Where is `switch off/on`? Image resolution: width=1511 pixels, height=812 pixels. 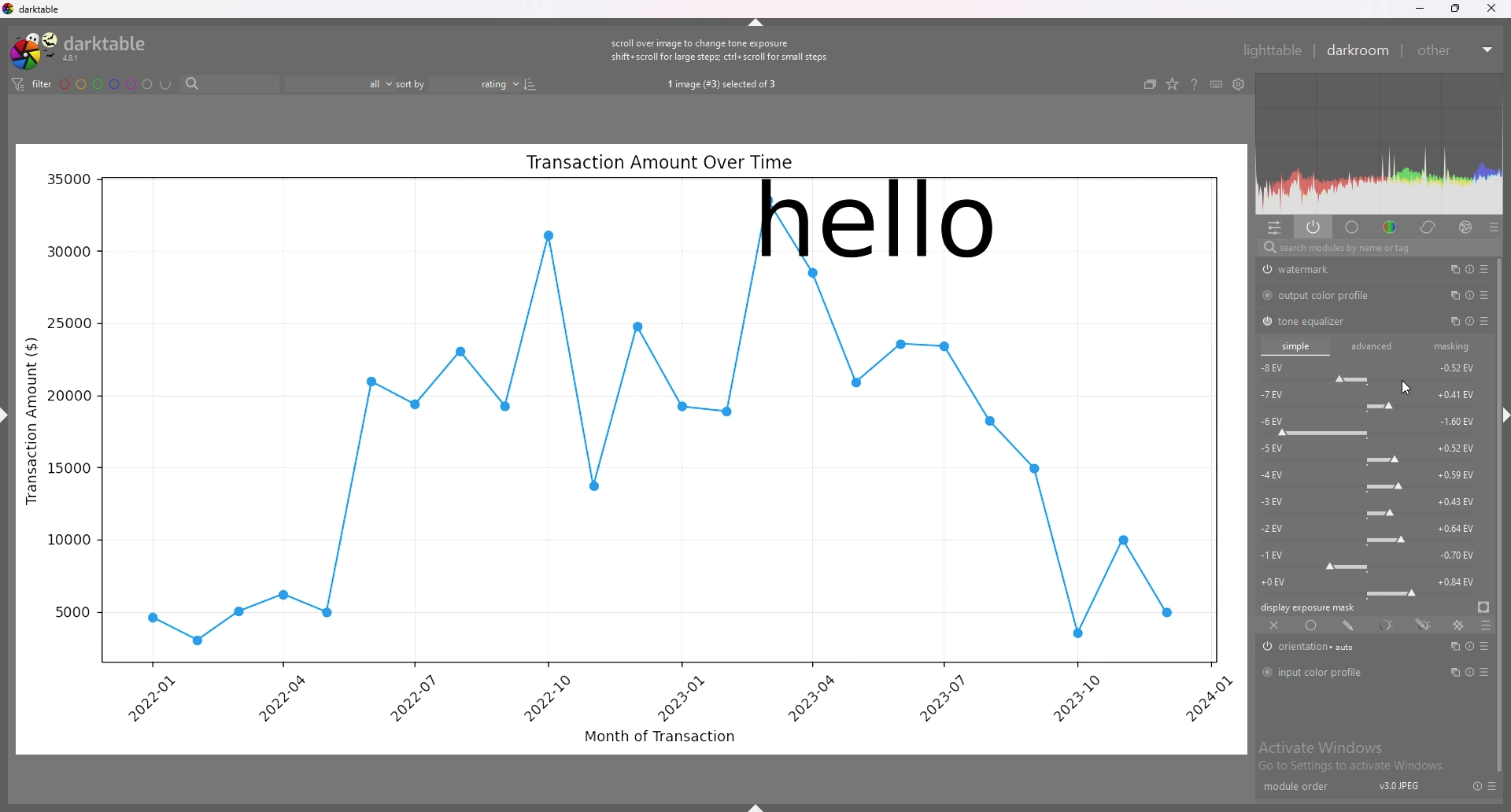 switch off/on is located at coordinates (1265, 321).